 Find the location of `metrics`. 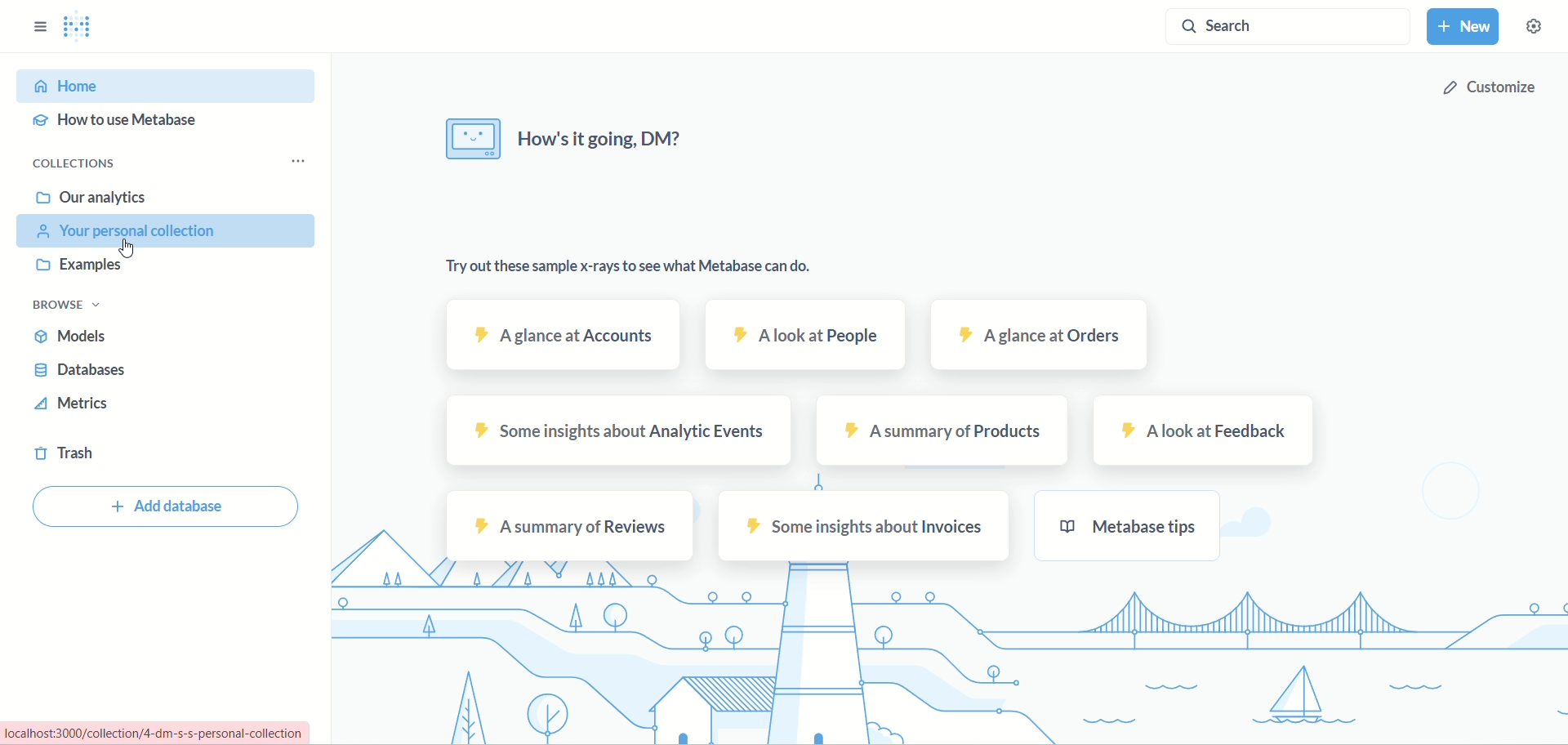

metrics is located at coordinates (74, 407).